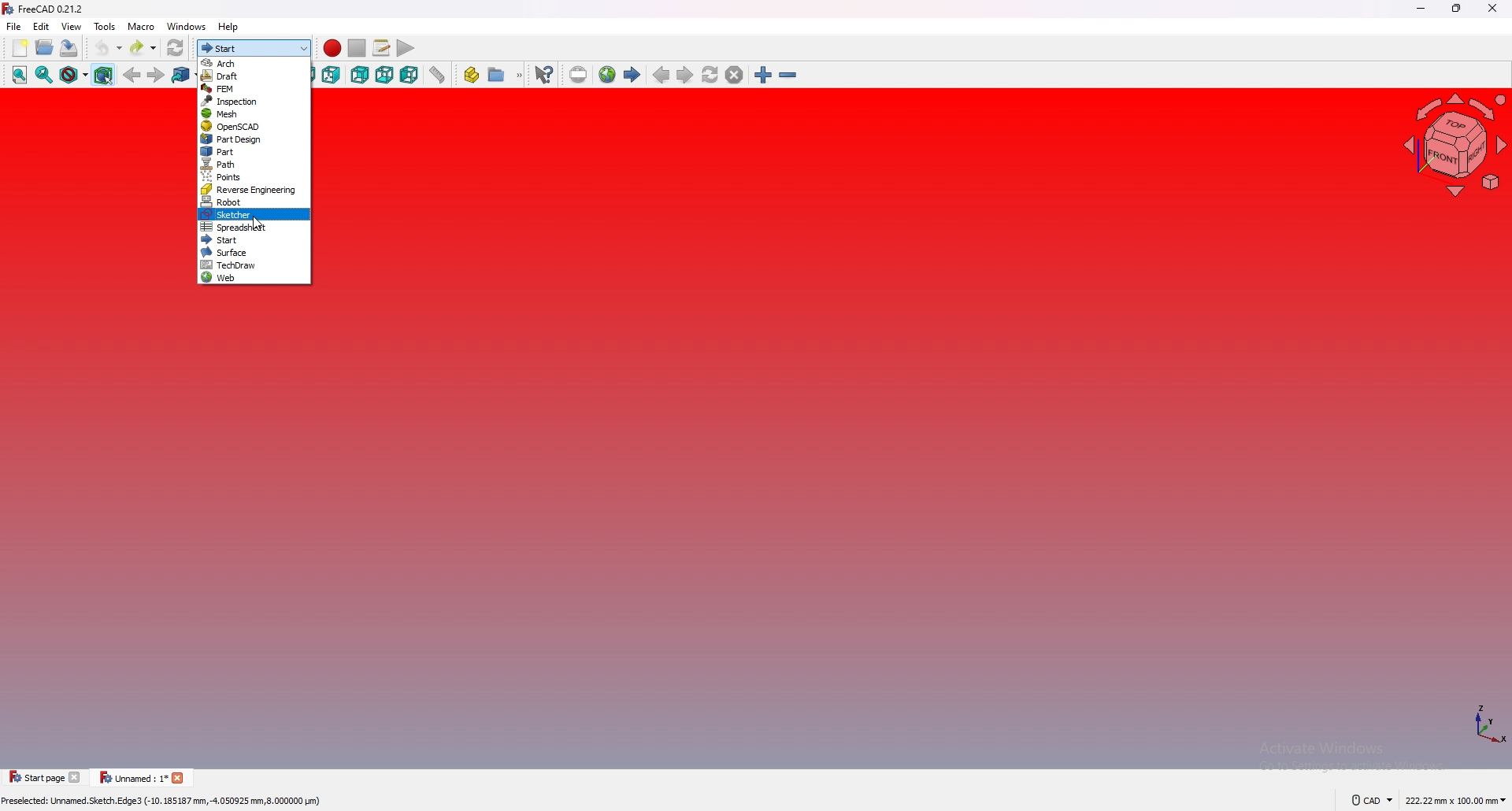 Image resolution: width=1512 pixels, height=811 pixels. I want to click on measure distance, so click(438, 75).